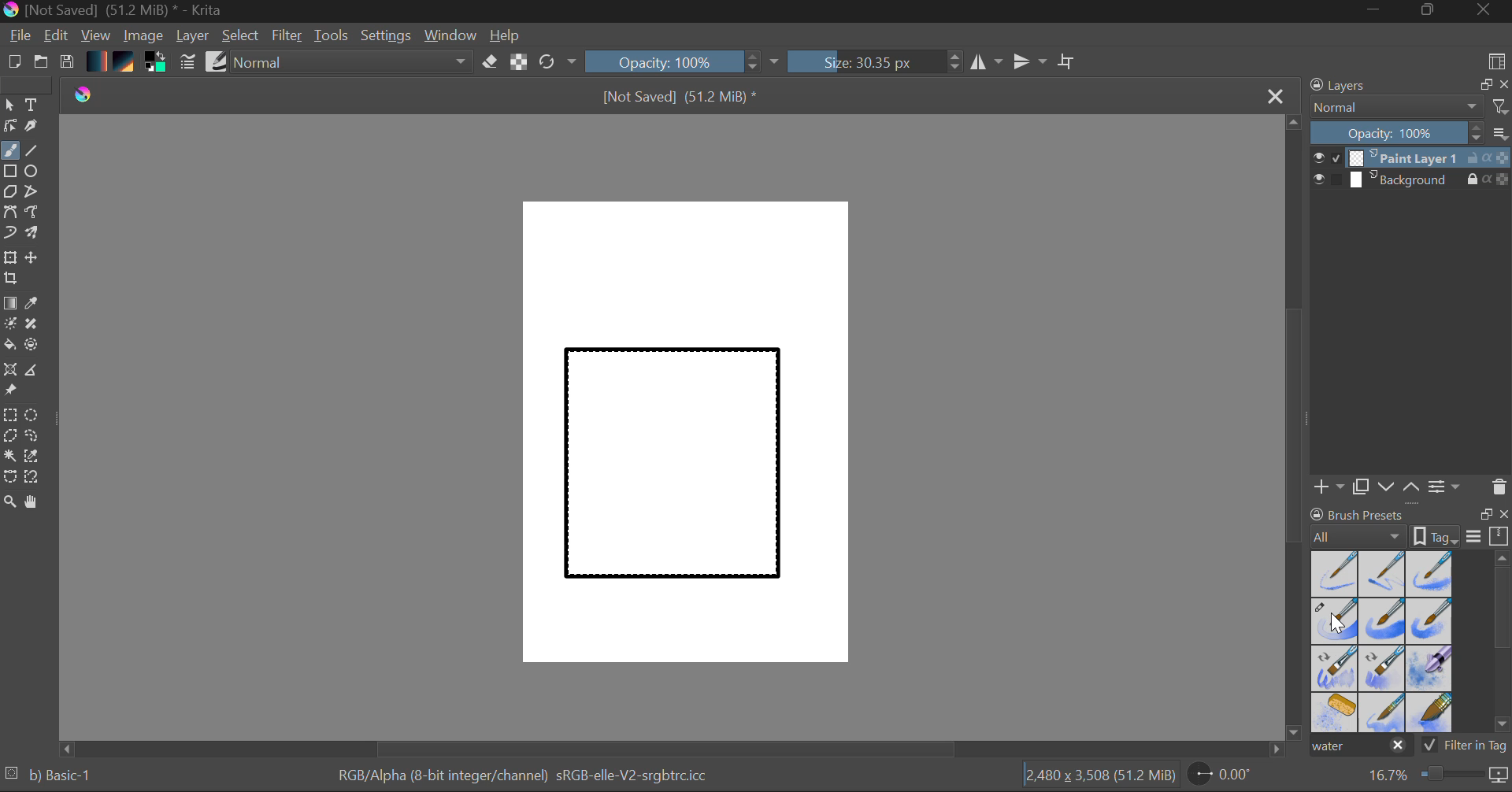 The height and width of the screenshot is (792, 1512). Describe the element at coordinates (9, 478) in the screenshot. I see `Bezier Curve Selector` at that location.